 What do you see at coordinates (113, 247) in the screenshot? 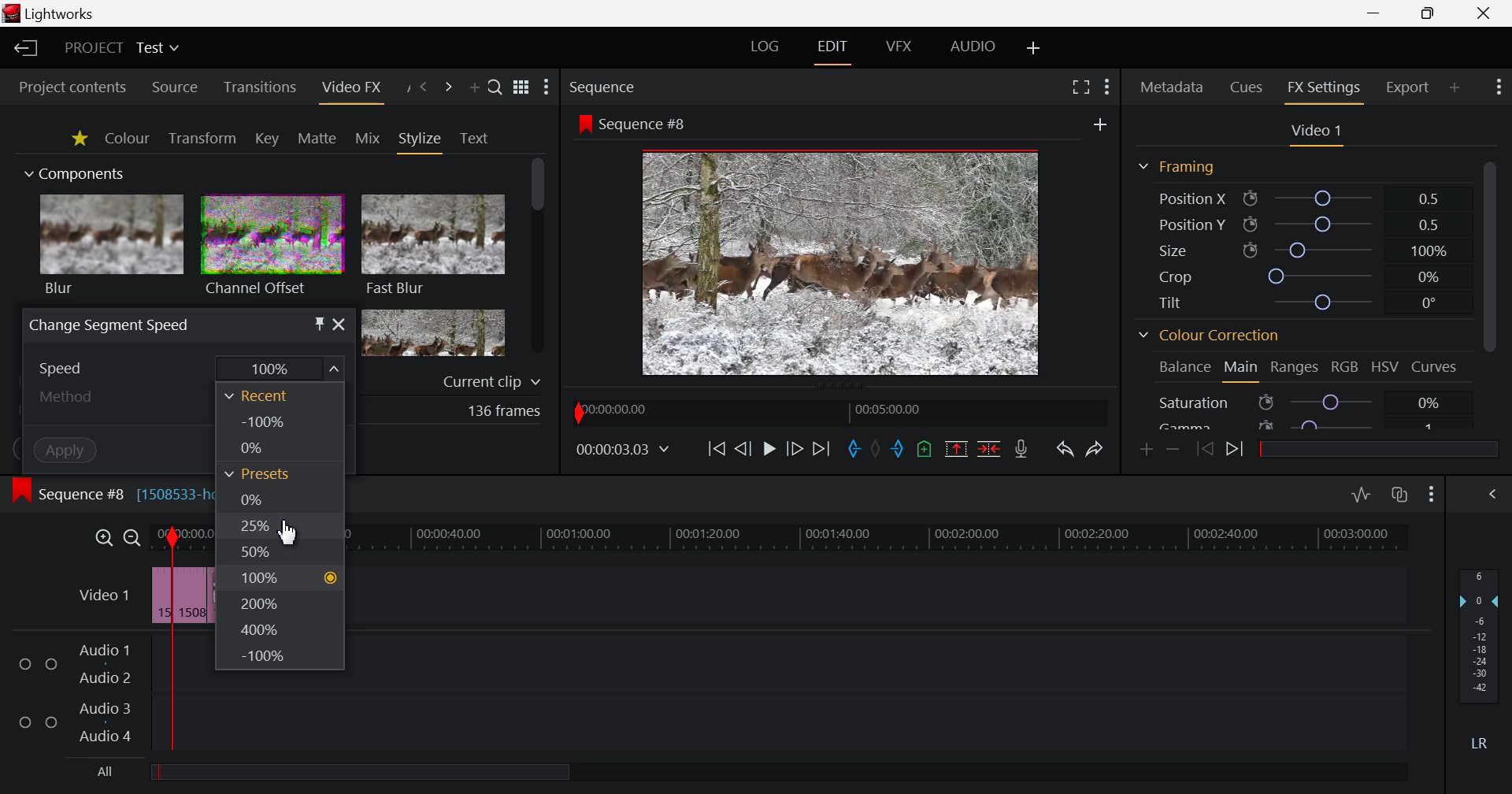
I see `Blur` at bounding box center [113, 247].